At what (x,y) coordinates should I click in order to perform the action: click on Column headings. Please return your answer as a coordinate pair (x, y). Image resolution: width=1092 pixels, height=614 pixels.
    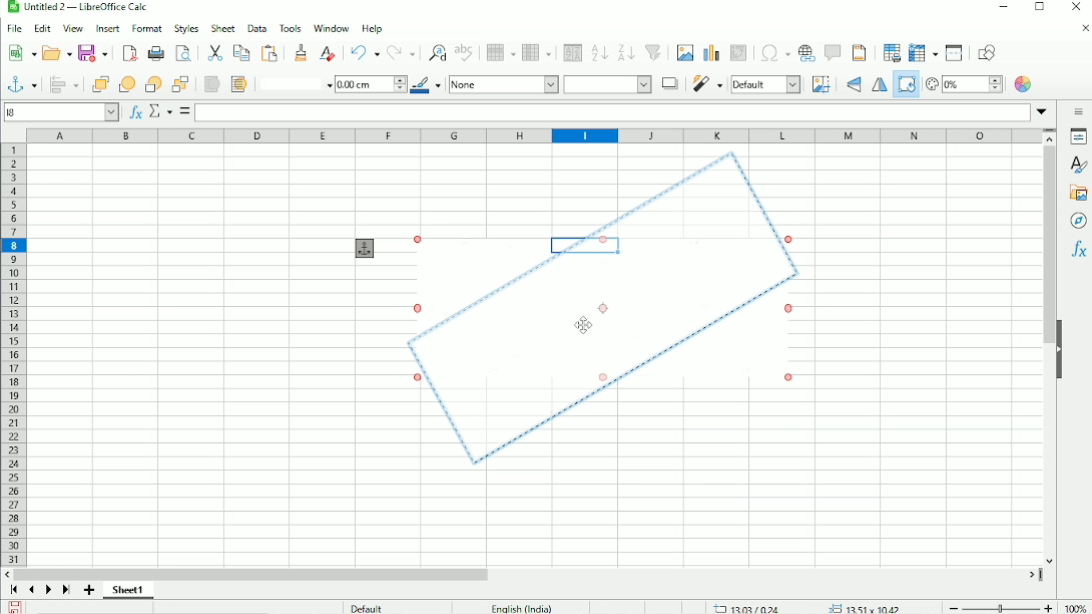
    Looking at the image, I should click on (532, 136).